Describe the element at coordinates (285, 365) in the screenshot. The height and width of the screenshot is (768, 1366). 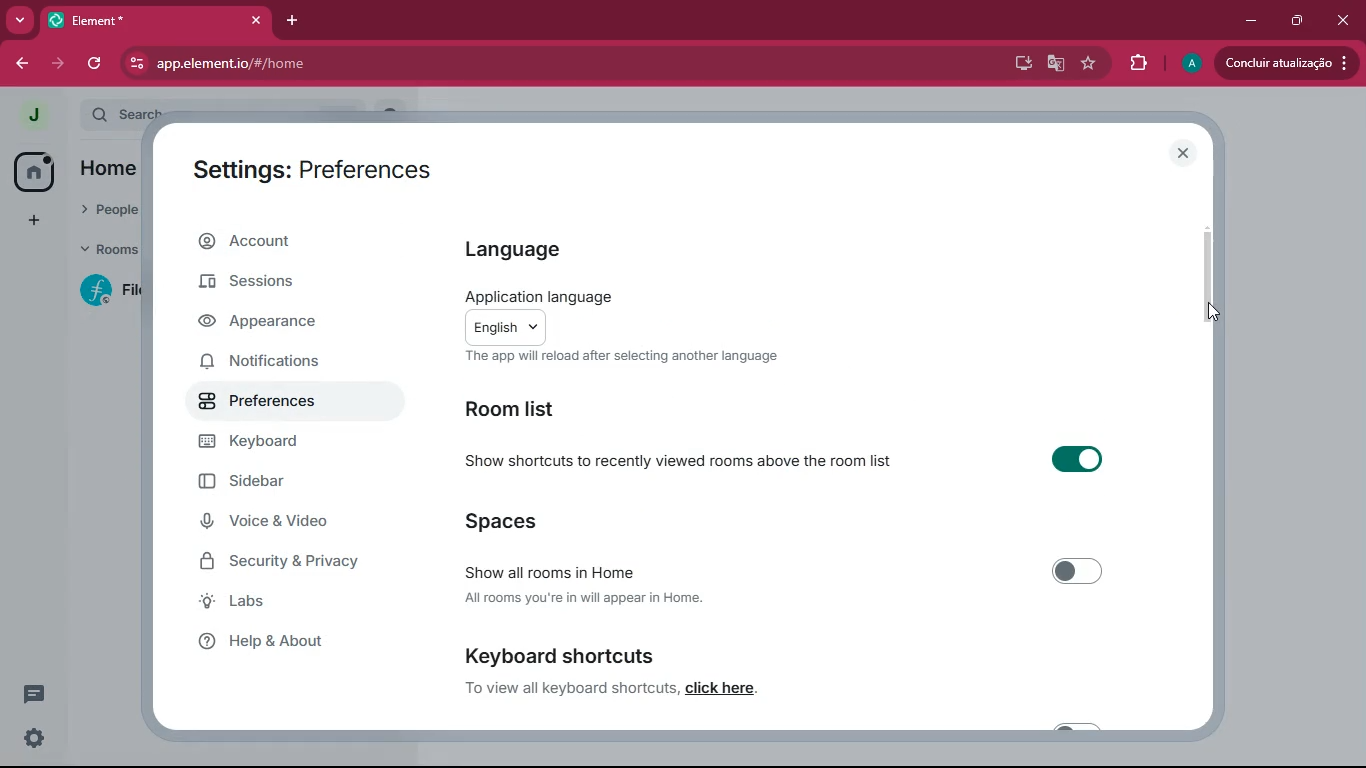
I see `notifications` at that location.